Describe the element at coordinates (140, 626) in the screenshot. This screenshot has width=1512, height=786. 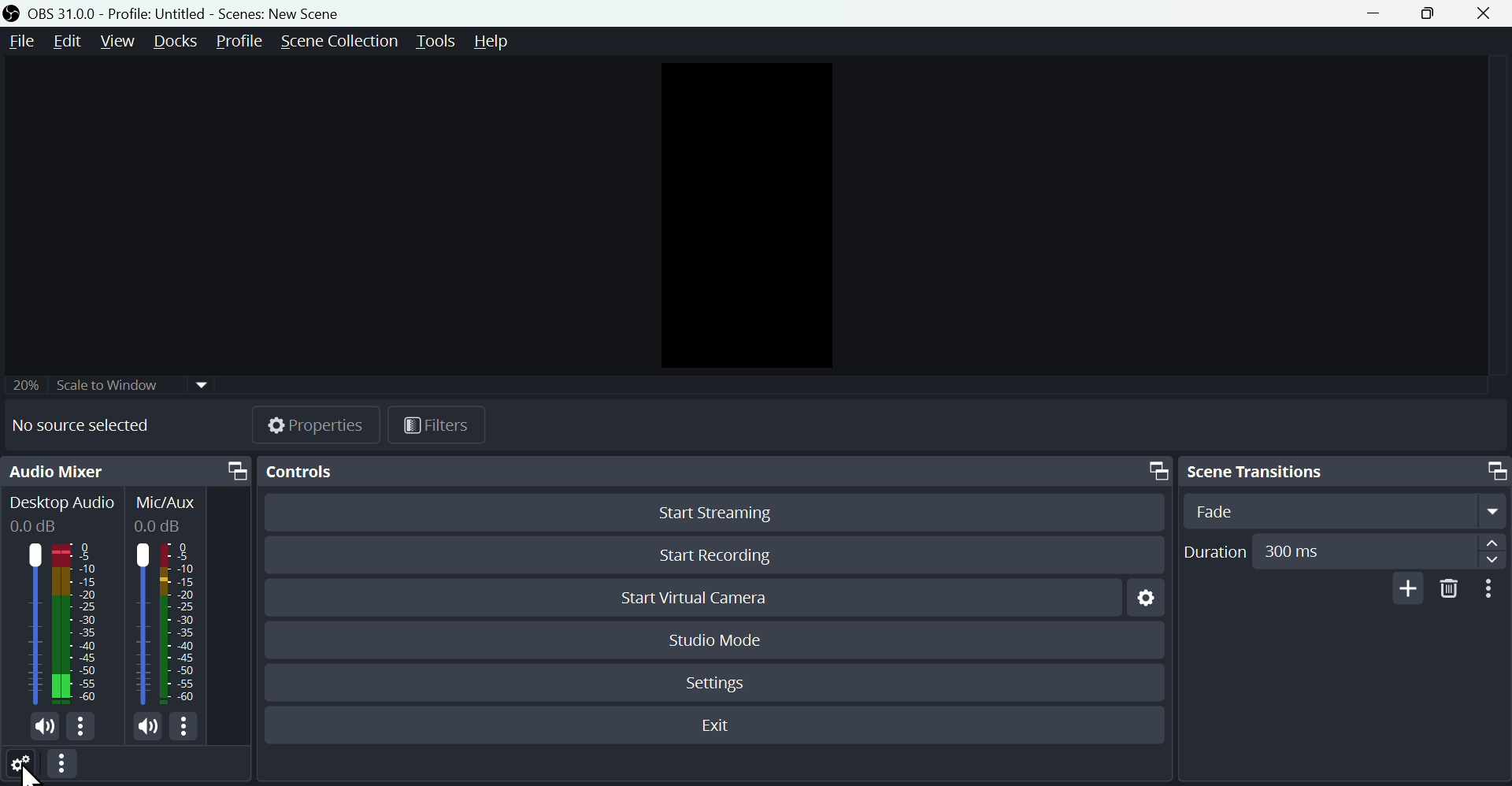
I see `Mic/Aux` at that location.